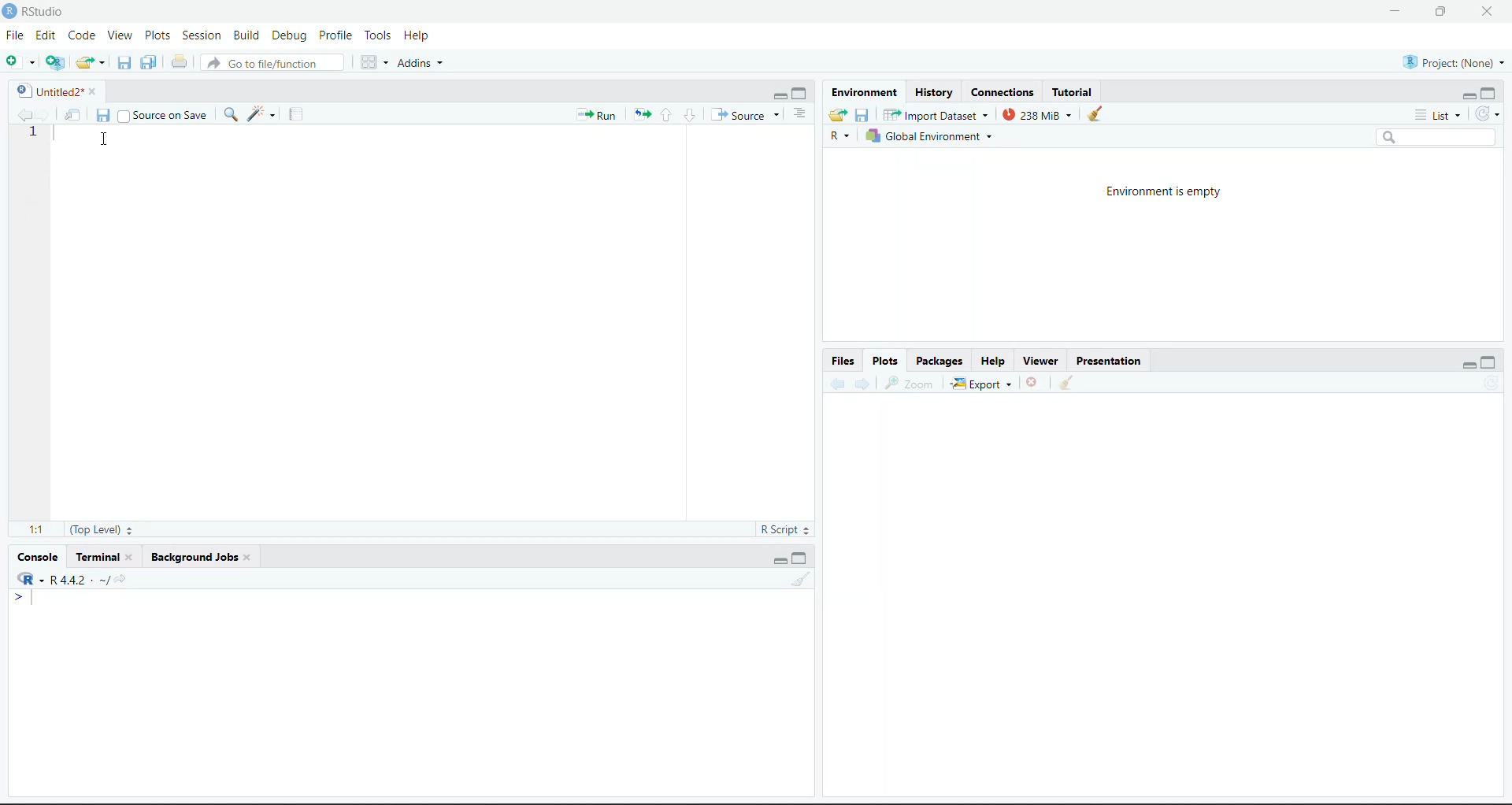 The width and height of the screenshot is (1512, 805). What do you see at coordinates (134, 557) in the screenshot?
I see `close` at bounding box center [134, 557].